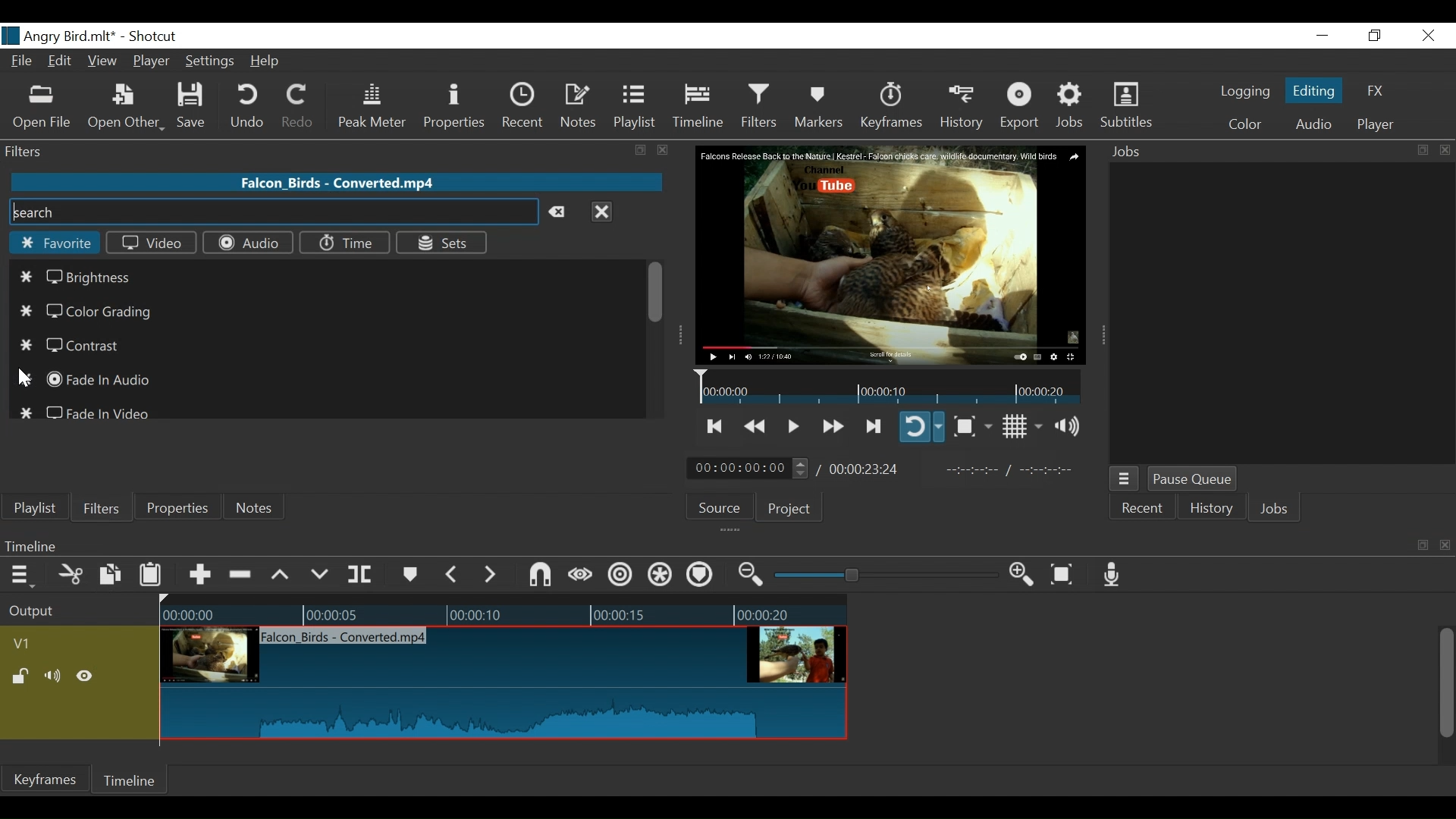  What do you see at coordinates (131, 780) in the screenshot?
I see `Timeline` at bounding box center [131, 780].